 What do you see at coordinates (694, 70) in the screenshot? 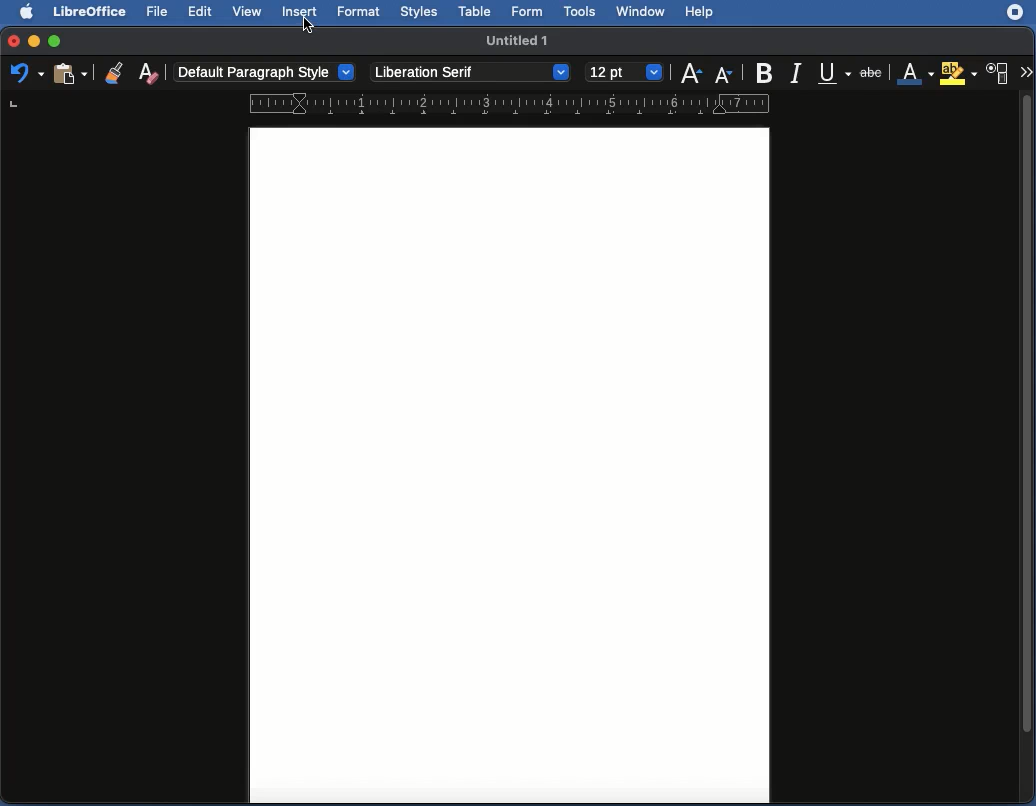
I see `Increase size` at bounding box center [694, 70].